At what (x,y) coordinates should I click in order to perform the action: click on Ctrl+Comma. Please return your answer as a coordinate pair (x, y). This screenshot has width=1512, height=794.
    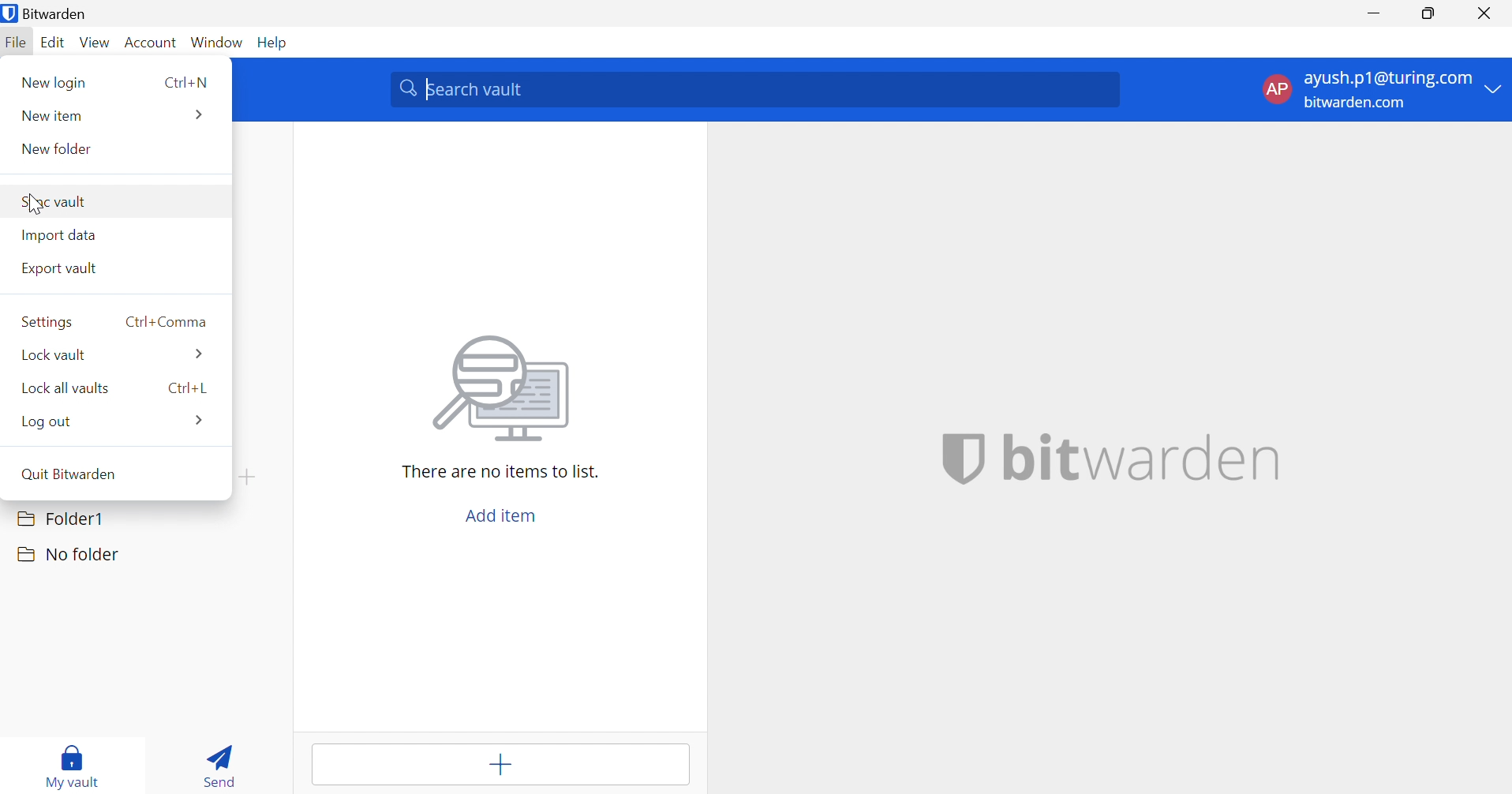
    Looking at the image, I should click on (166, 321).